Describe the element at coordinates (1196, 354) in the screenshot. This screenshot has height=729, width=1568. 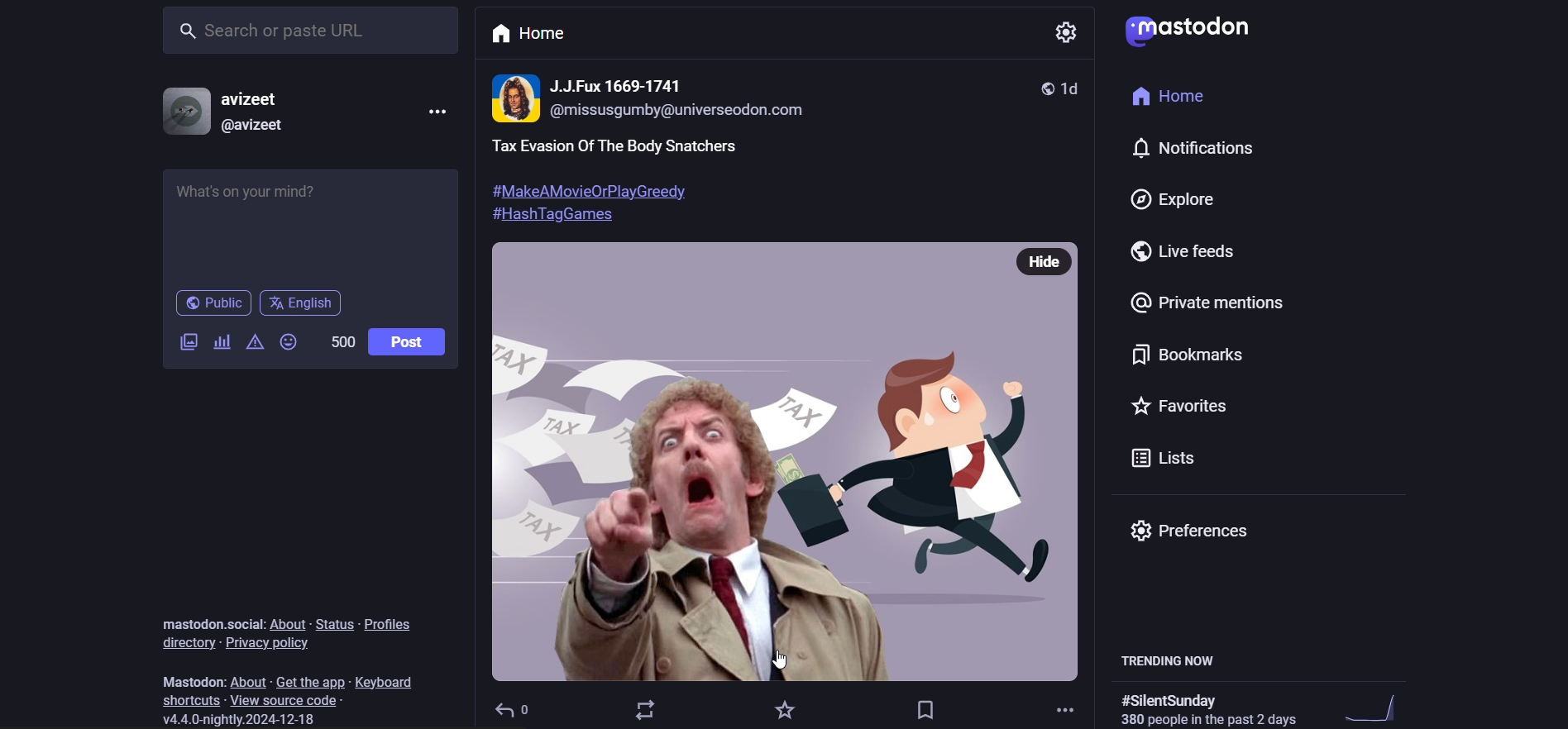
I see `bookmark` at that location.